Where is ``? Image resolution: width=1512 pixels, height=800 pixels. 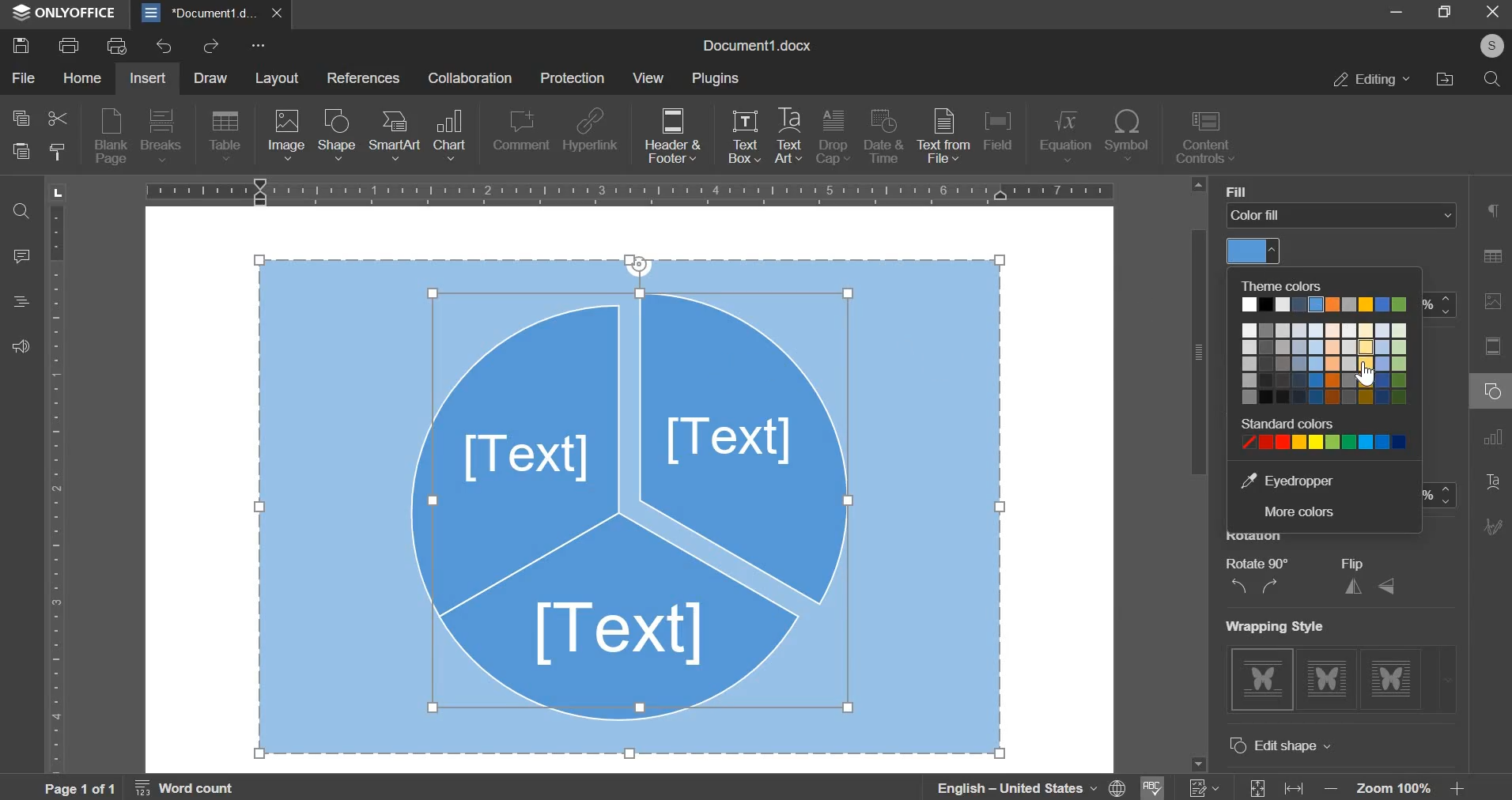
 is located at coordinates (1494, 44).